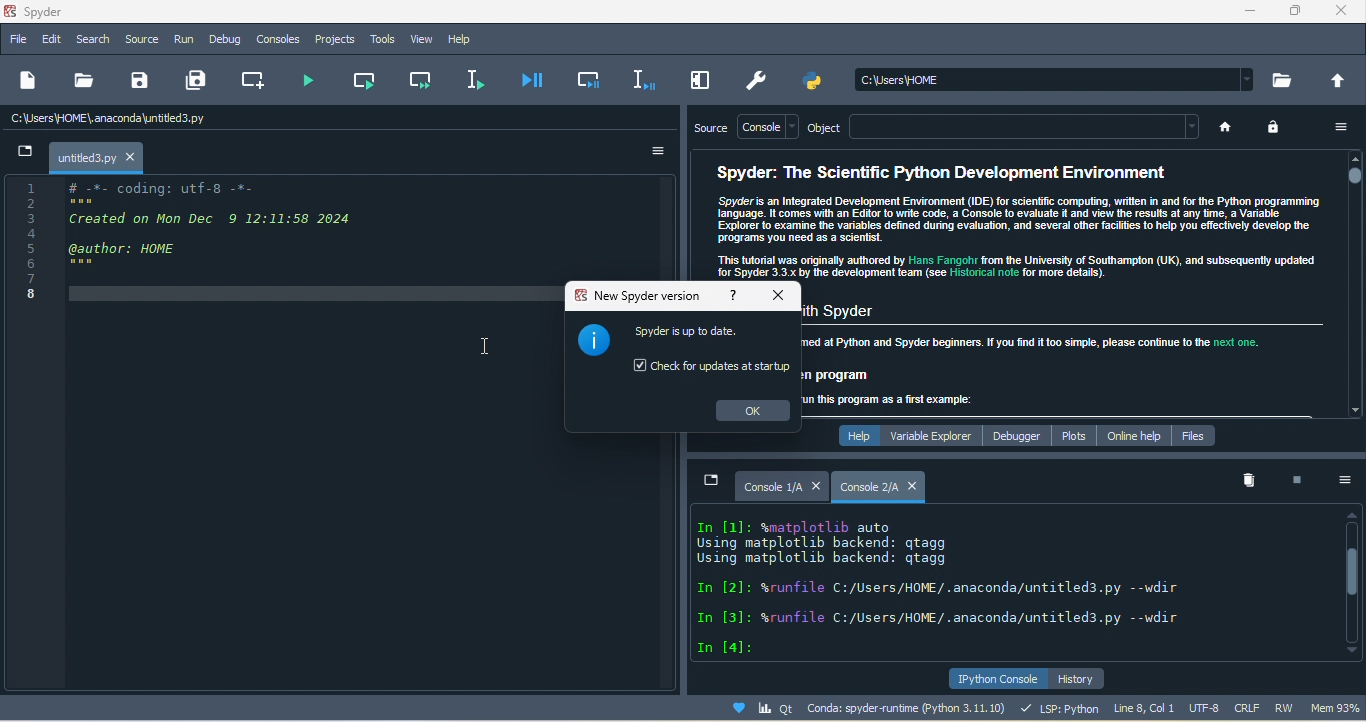 This screenshot has height=722, width=1366. What do you see at coordinates (82, 84) in the screenshot?
I see `open` at bounding box center [82, 84].